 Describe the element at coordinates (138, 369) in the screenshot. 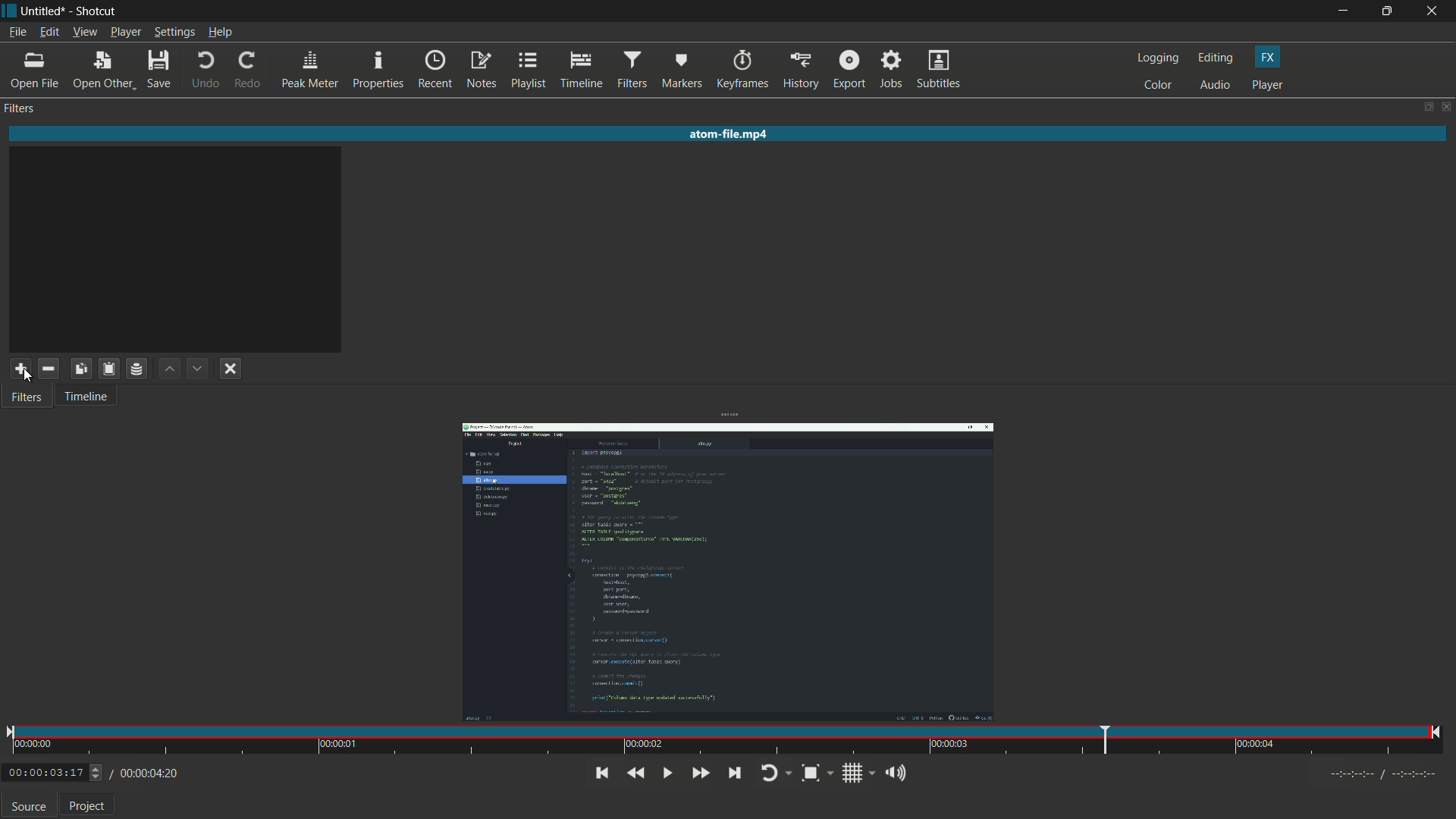

I see `save filter set` at that location.